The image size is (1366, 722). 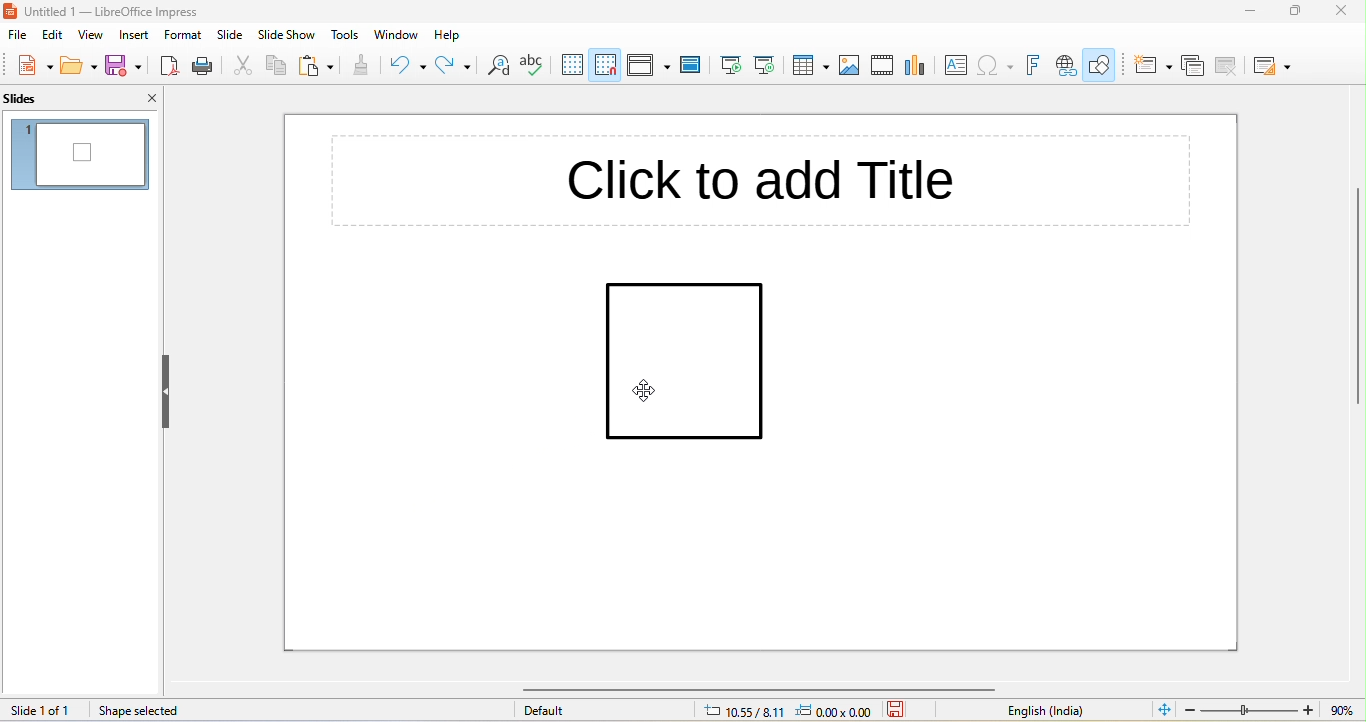 What do you see at coordinates (53, 35) in the screenshot?
I see `edit` at bounding box center [53, 35].